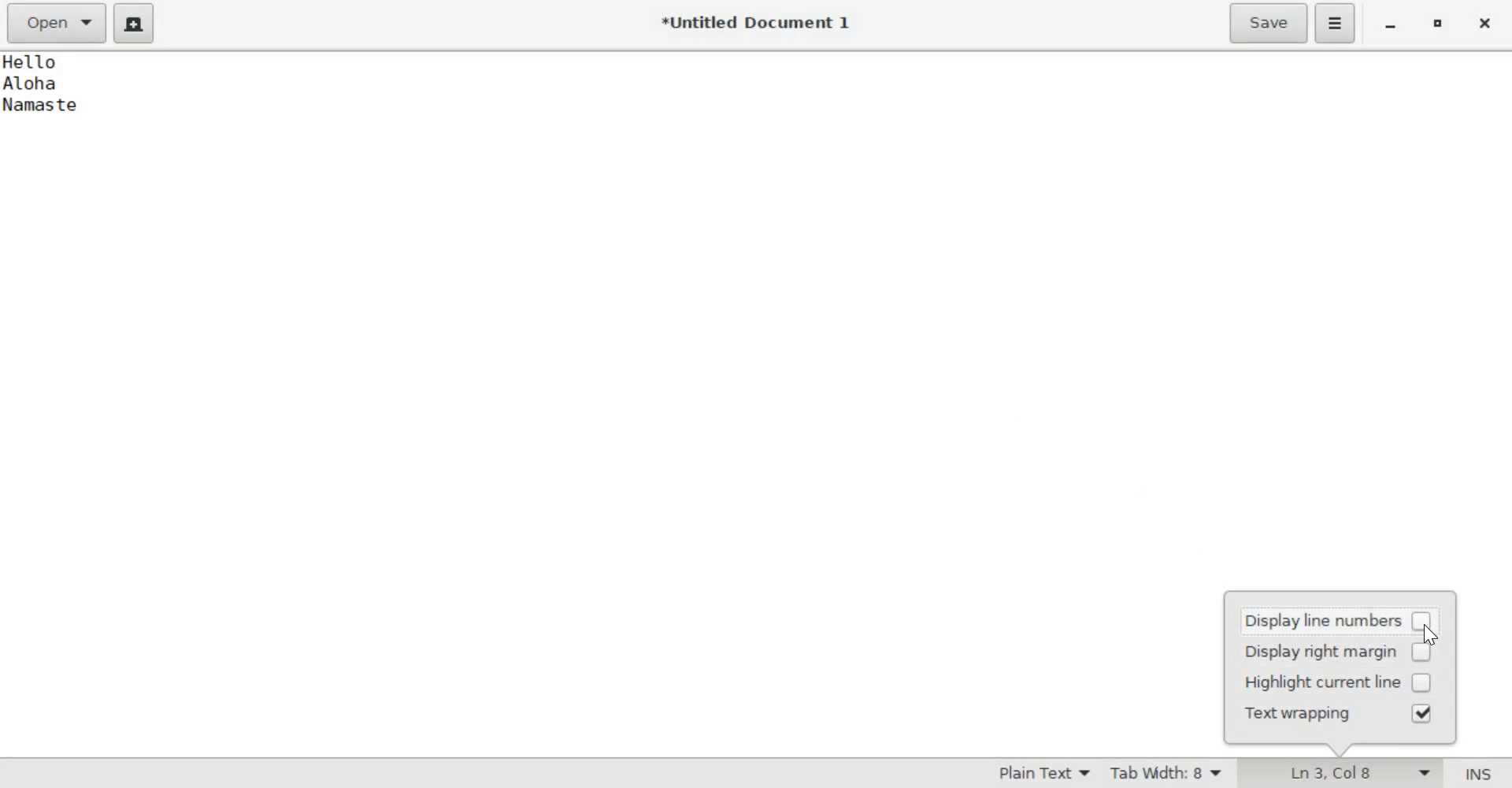 The width and height of the screenshot is (1512, 788). What do you see at coordinates (1359, 773) in the screenshot?
I see `Line and Column Indicator` at bounding box center [1359, 773].